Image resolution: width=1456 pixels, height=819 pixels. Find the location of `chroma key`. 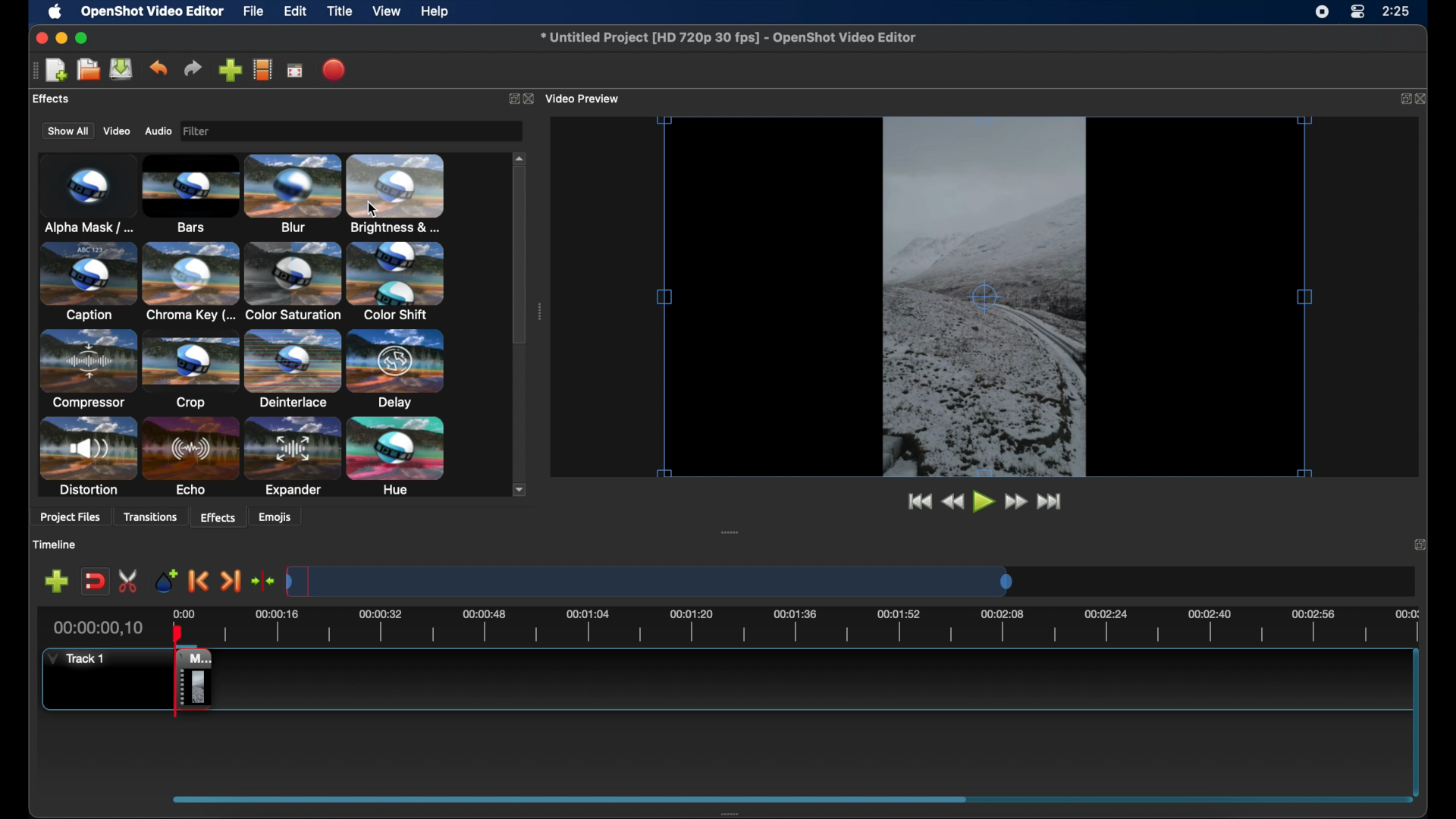

chroma key is located at coordinates (190, 281).